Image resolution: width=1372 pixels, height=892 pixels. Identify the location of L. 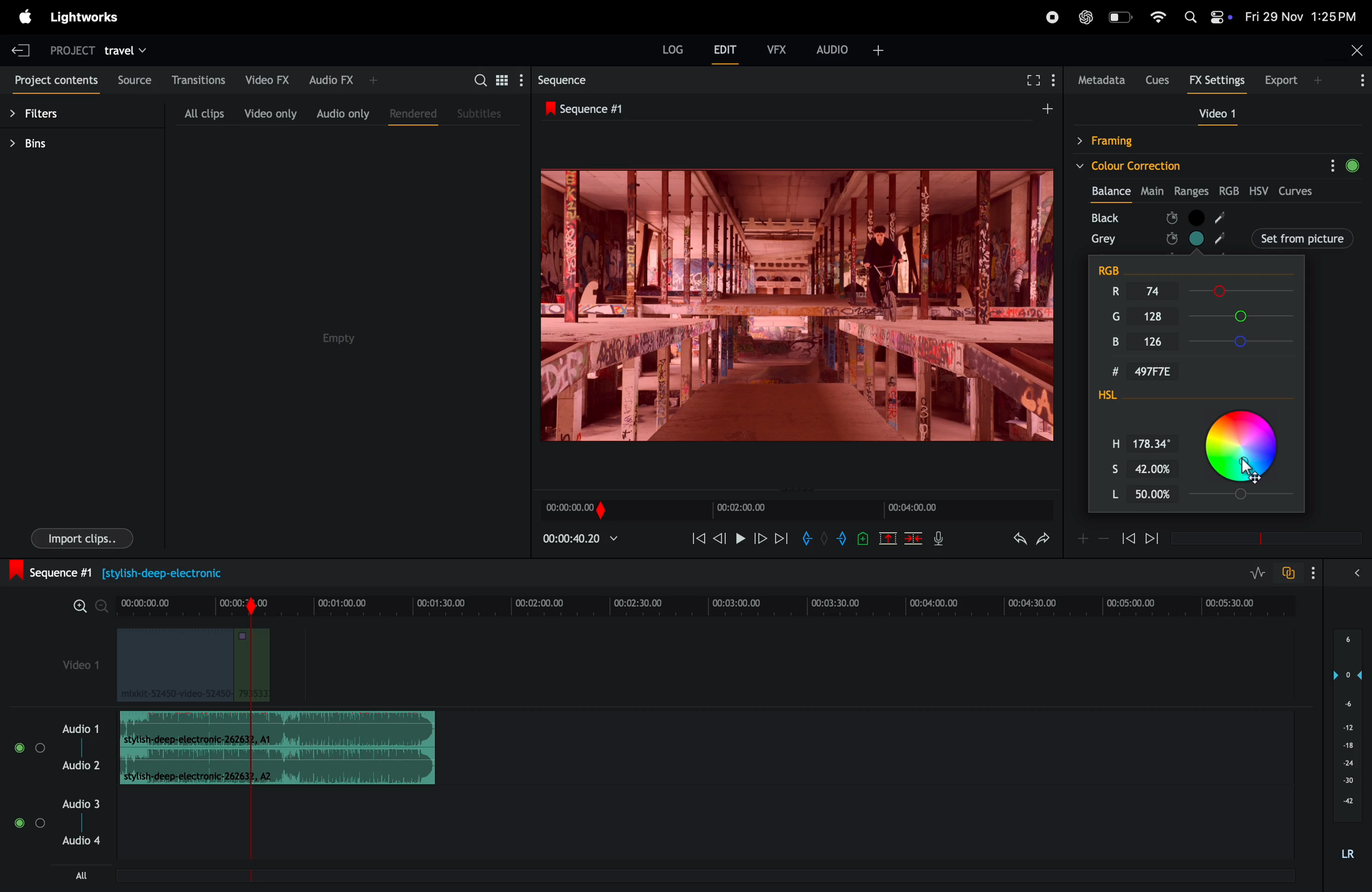
(1106, 494).